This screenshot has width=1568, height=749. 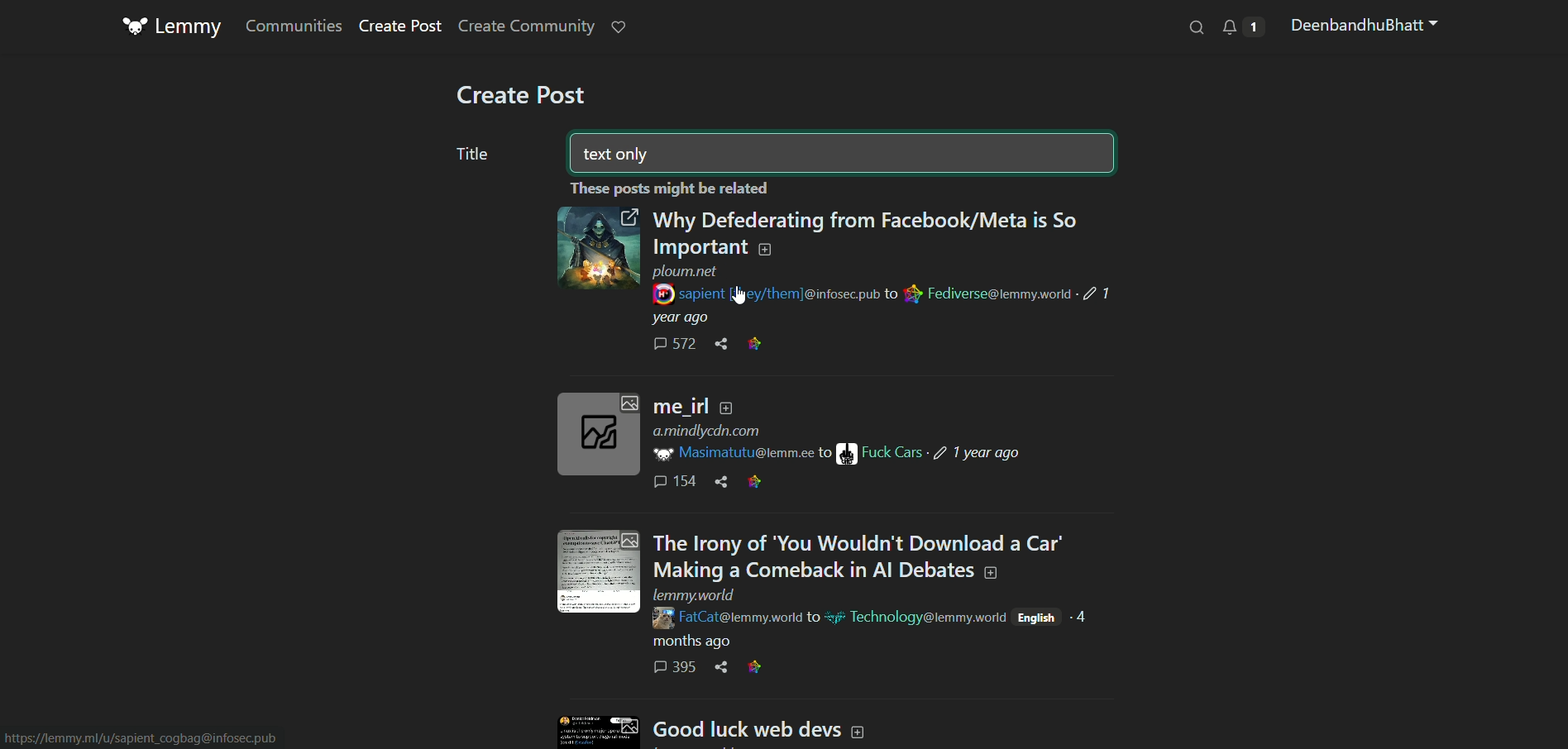 I want to click on Post text, so click(x=813, y=571).